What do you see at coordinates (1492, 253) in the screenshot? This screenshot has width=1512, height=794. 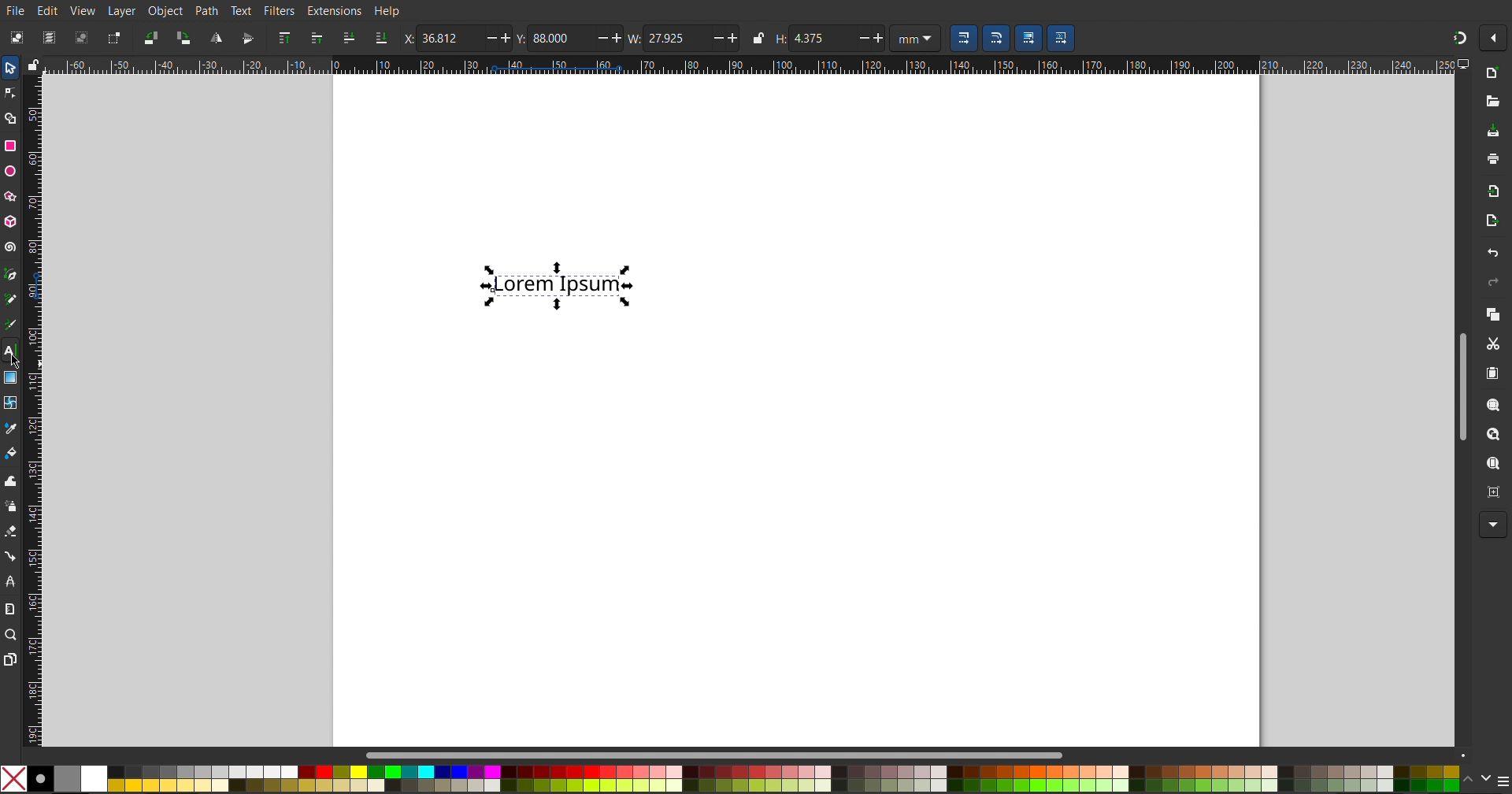 I see `Undo` at bounding box center [1492, 253].